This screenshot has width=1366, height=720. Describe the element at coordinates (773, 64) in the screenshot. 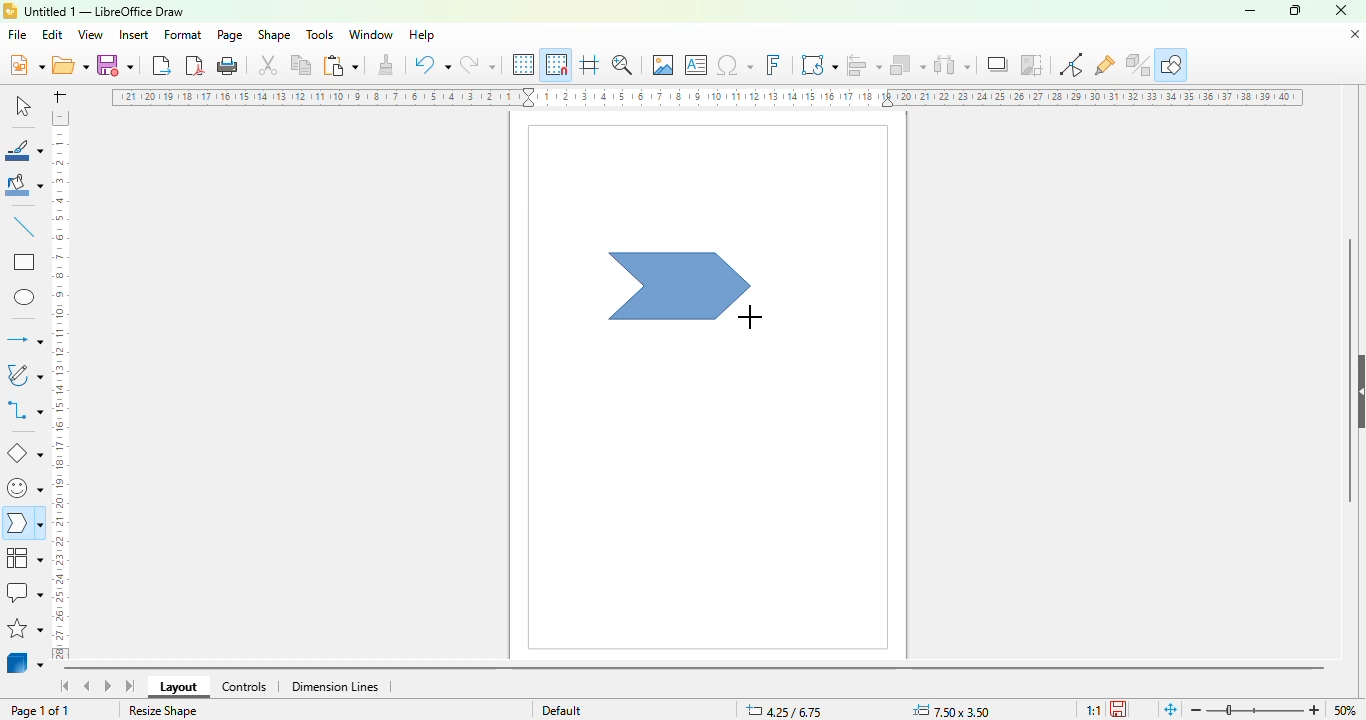

I see `insert fontwork text` at that location.